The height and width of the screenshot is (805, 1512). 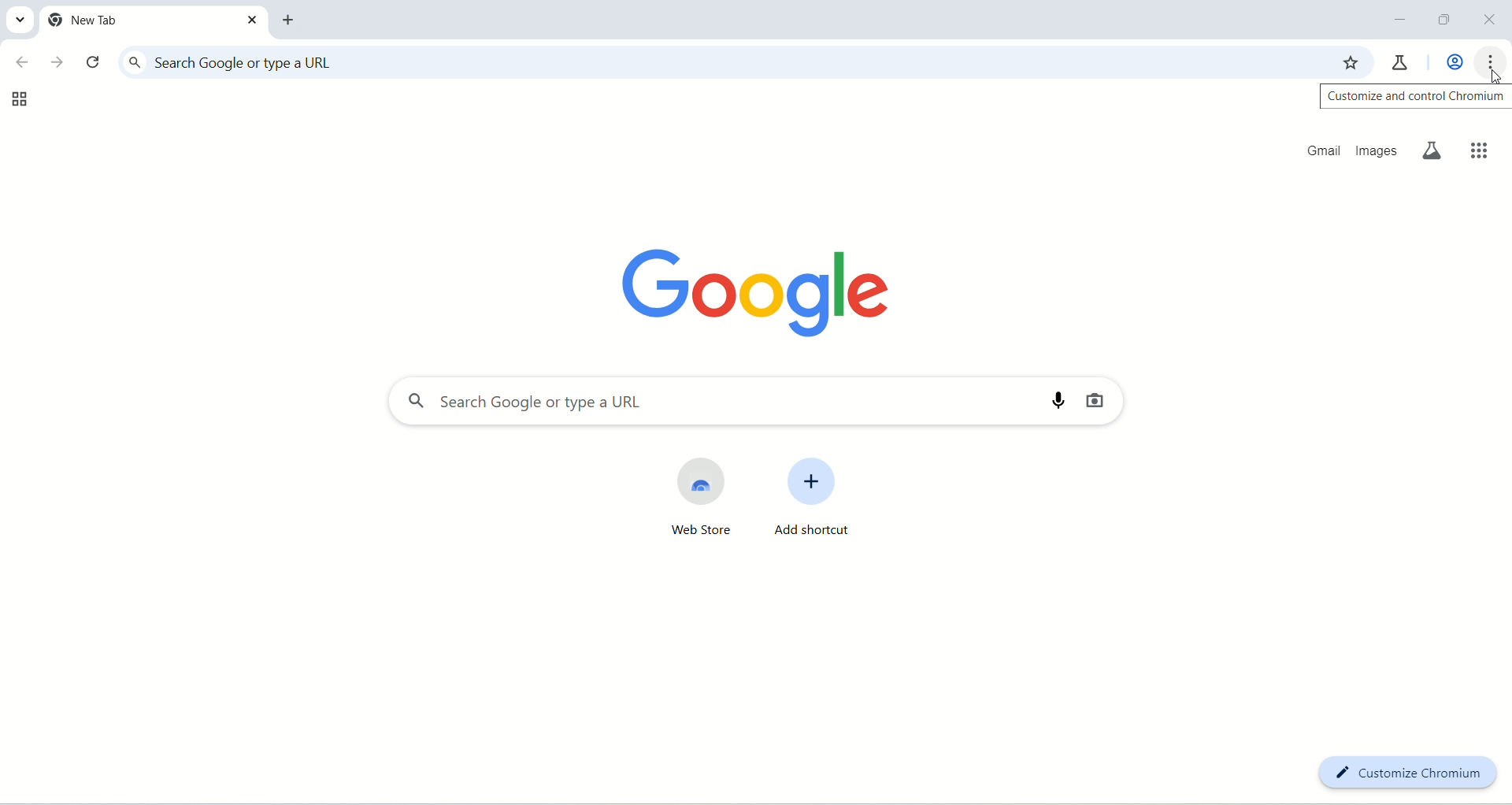 What do you see at coordinates (1450, 62) in the screenshot?
I see `work` at bounding box center [1450, 62].